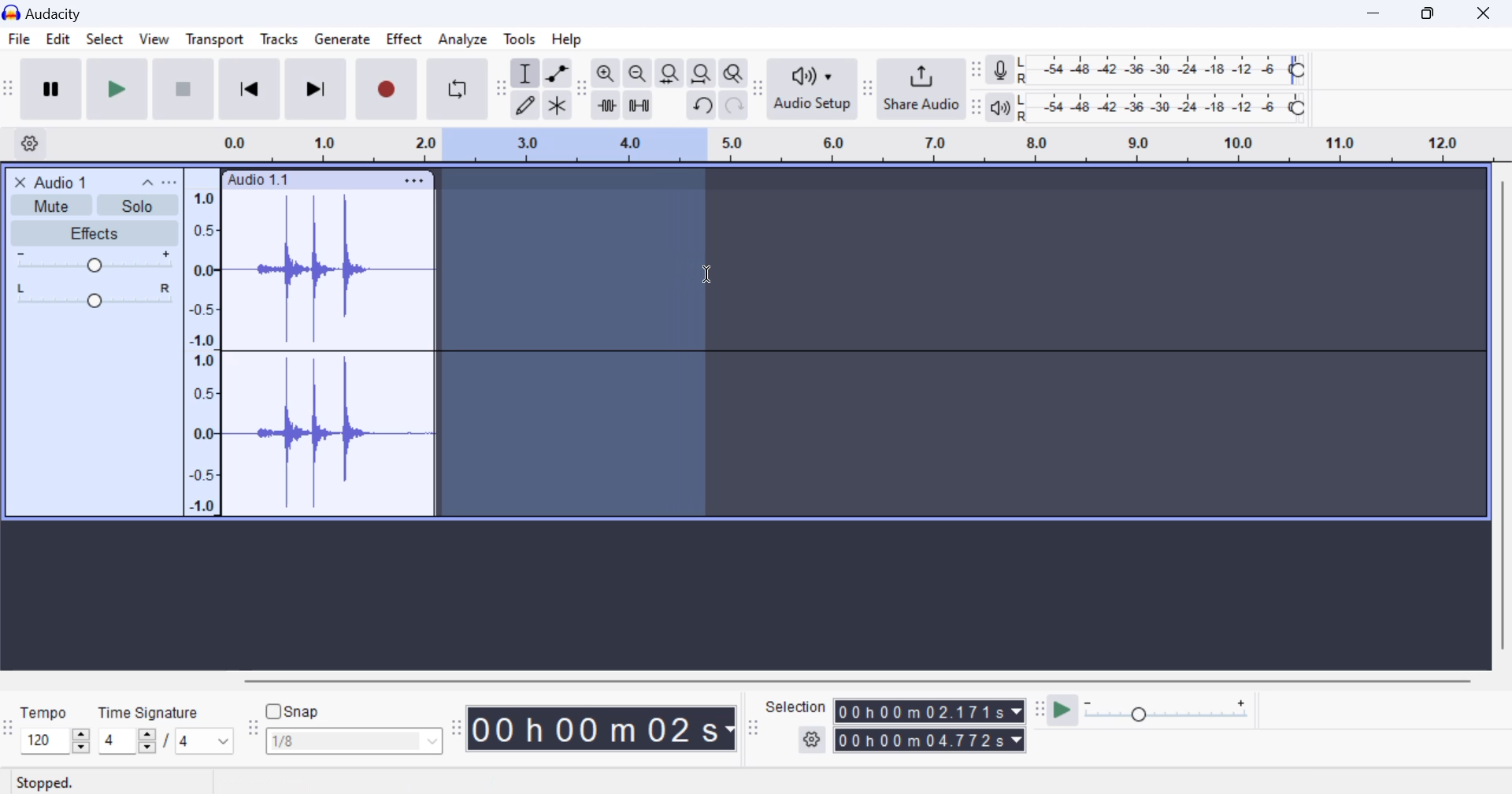  Describe the element at coordinates (921, 88) in the screenshot. I see `Share Audio` at that location.